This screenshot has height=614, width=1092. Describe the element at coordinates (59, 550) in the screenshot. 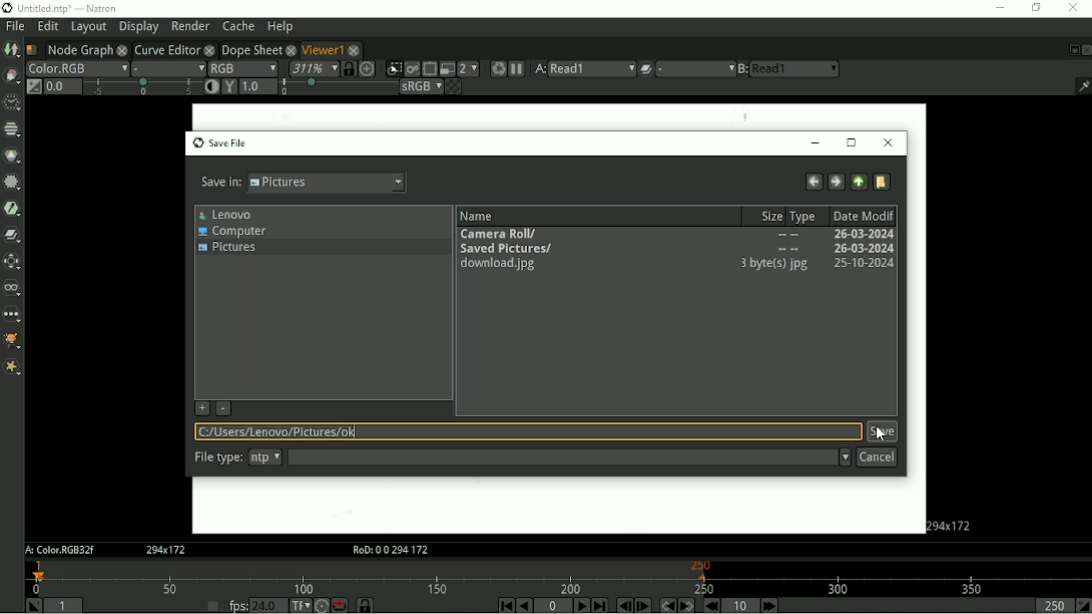

I see `A` at that location.